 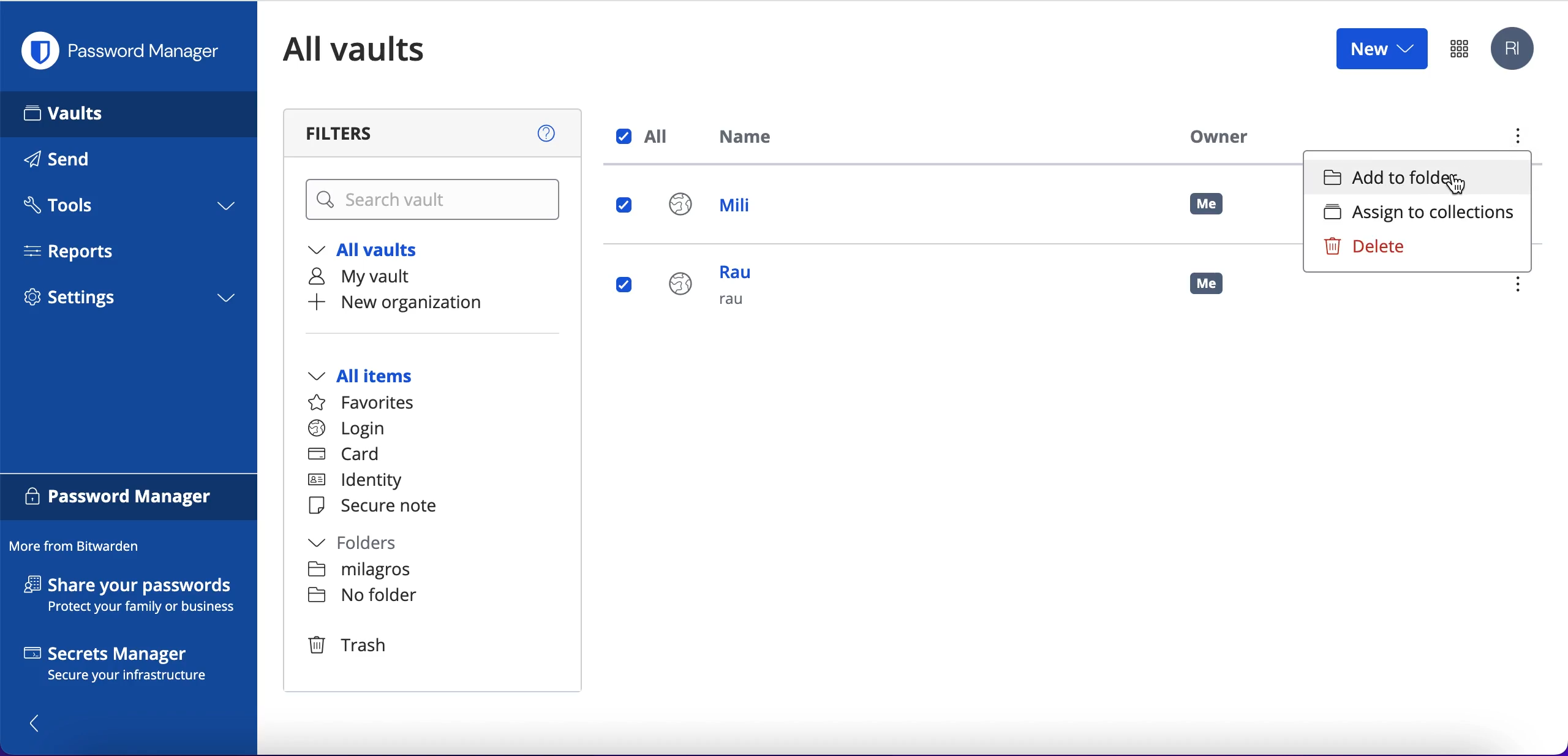 What do you see at coordinates (346, 456) in the screenshot?
I see `card` at bounding box center [346, 456].